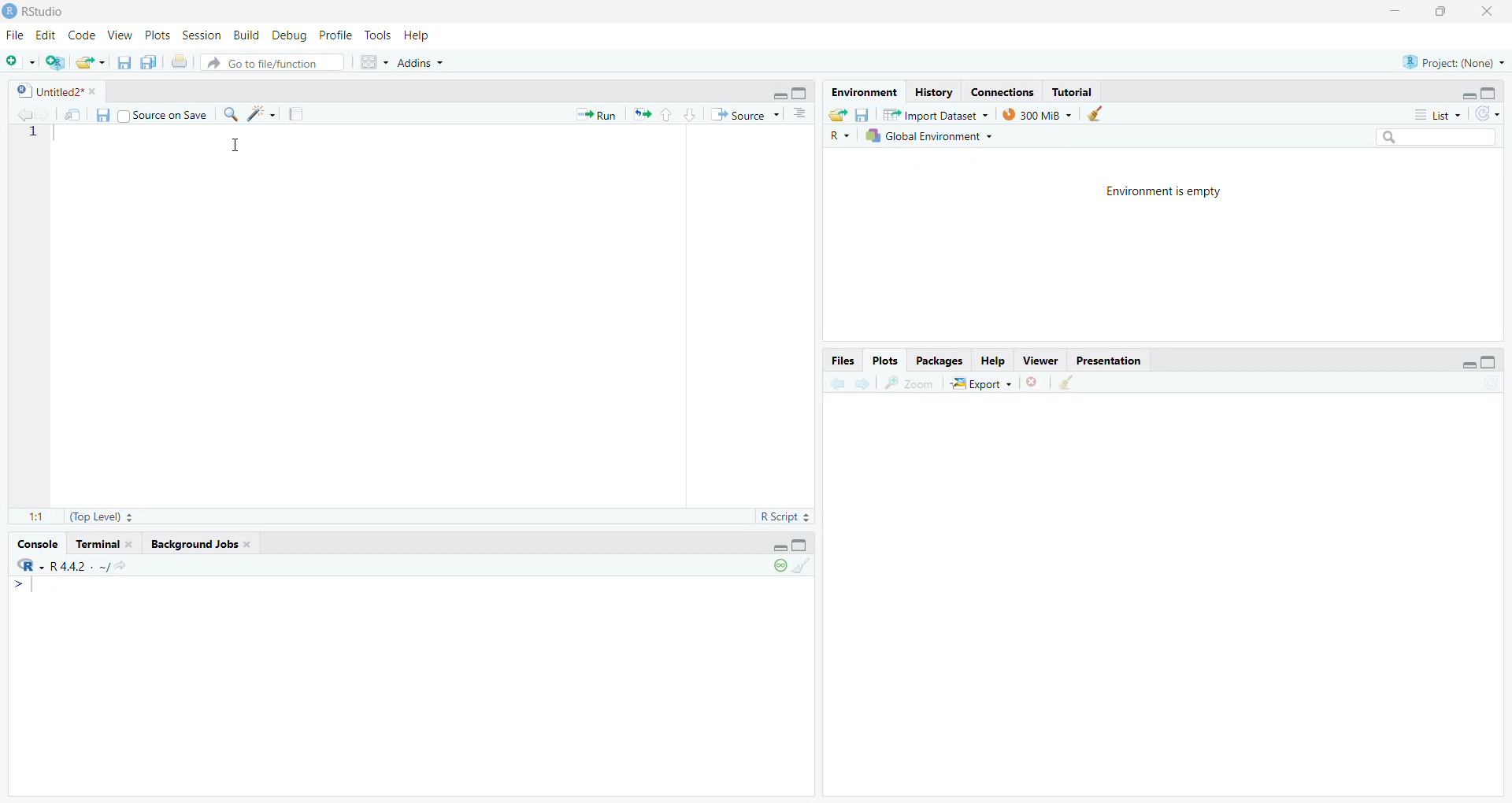 The width and height of the screenshot is (1512, 803). I want to click on Profile, so click(337, 35).